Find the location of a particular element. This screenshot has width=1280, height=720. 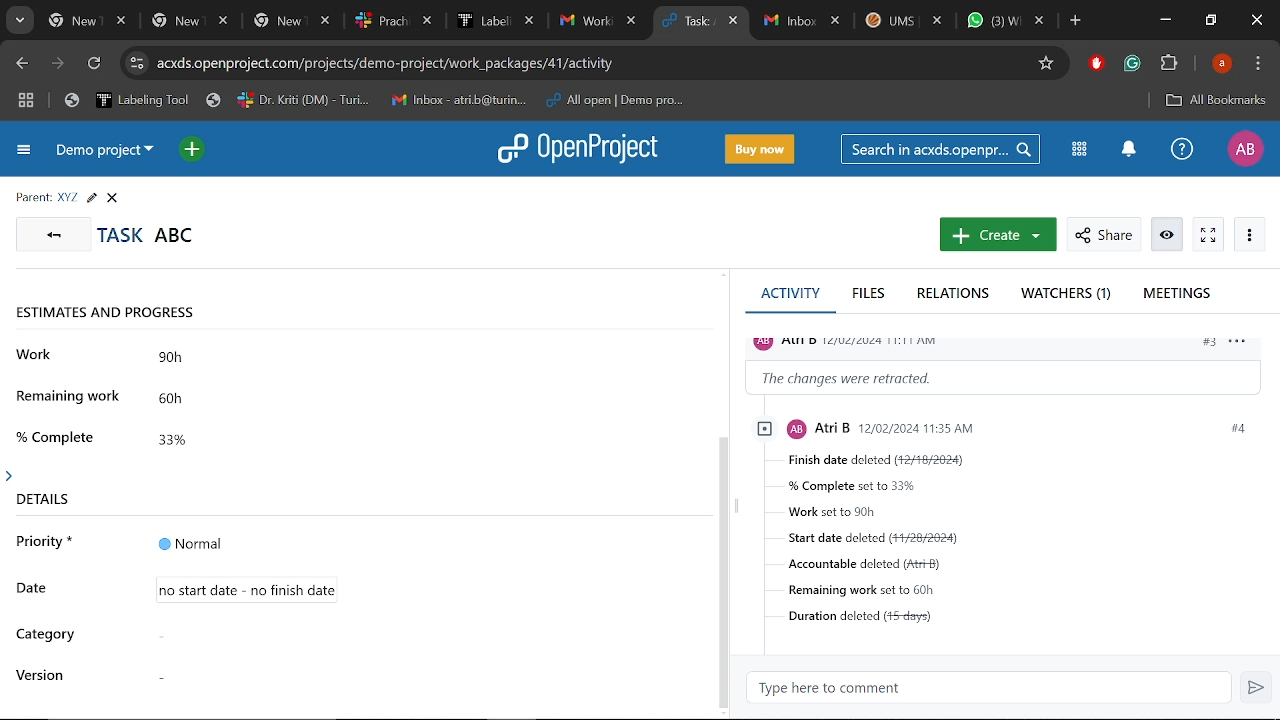

Unwatch work package is located at coordinates (1169, 235).